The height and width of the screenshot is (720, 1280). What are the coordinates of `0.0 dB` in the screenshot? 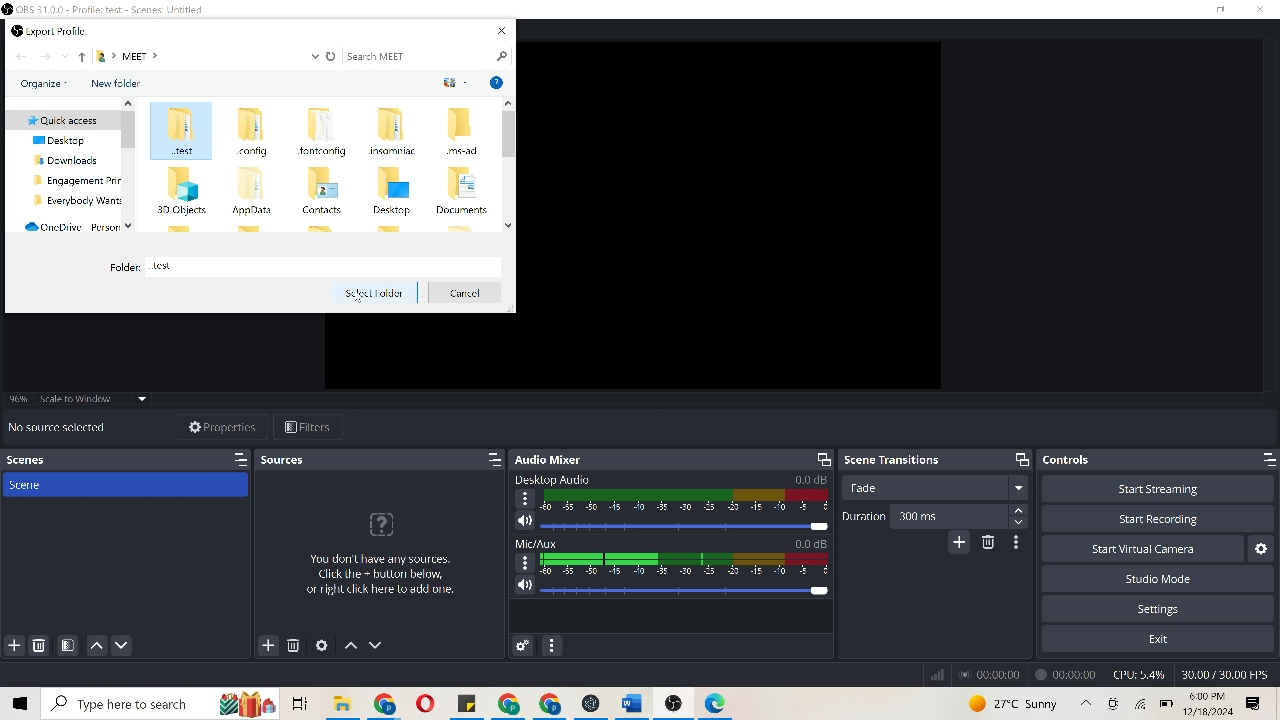 It's located at (813, 544).